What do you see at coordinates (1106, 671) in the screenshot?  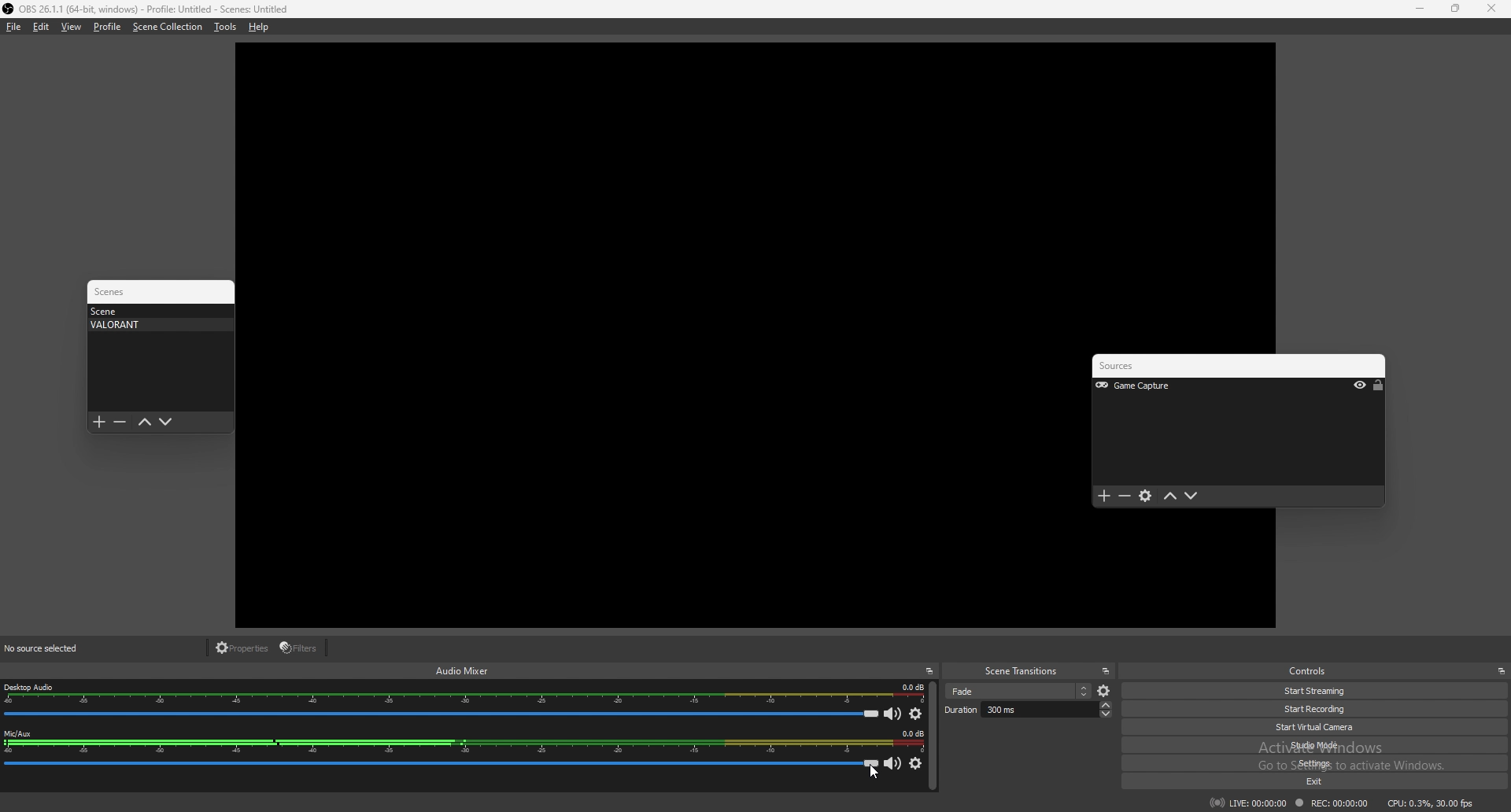 I see `pop out` at bounding box center [1106, 671].